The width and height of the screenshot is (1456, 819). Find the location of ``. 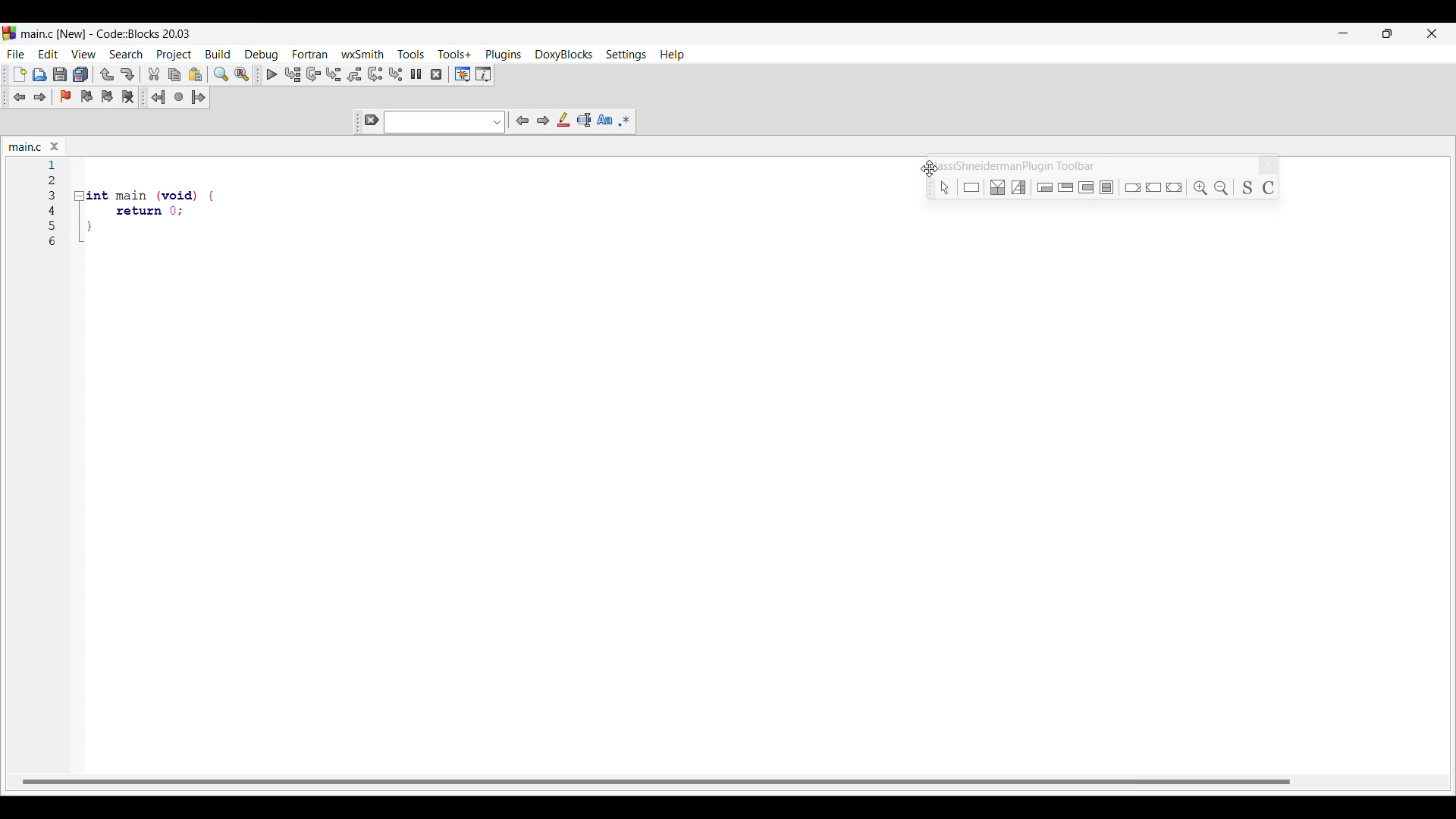

 is located at coordinates (148, 191).